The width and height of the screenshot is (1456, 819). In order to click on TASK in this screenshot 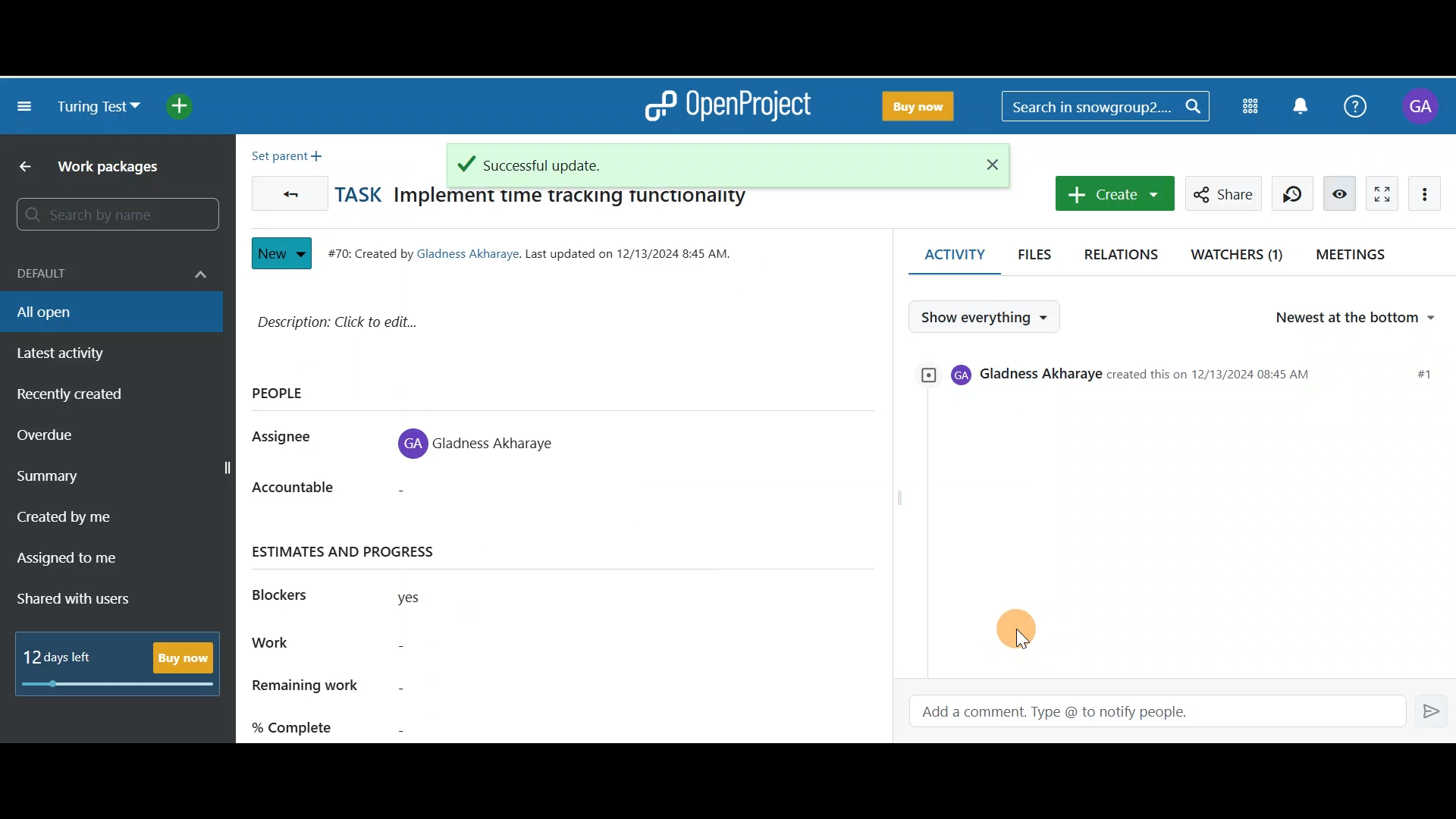, I will do `click(362, 194)`.